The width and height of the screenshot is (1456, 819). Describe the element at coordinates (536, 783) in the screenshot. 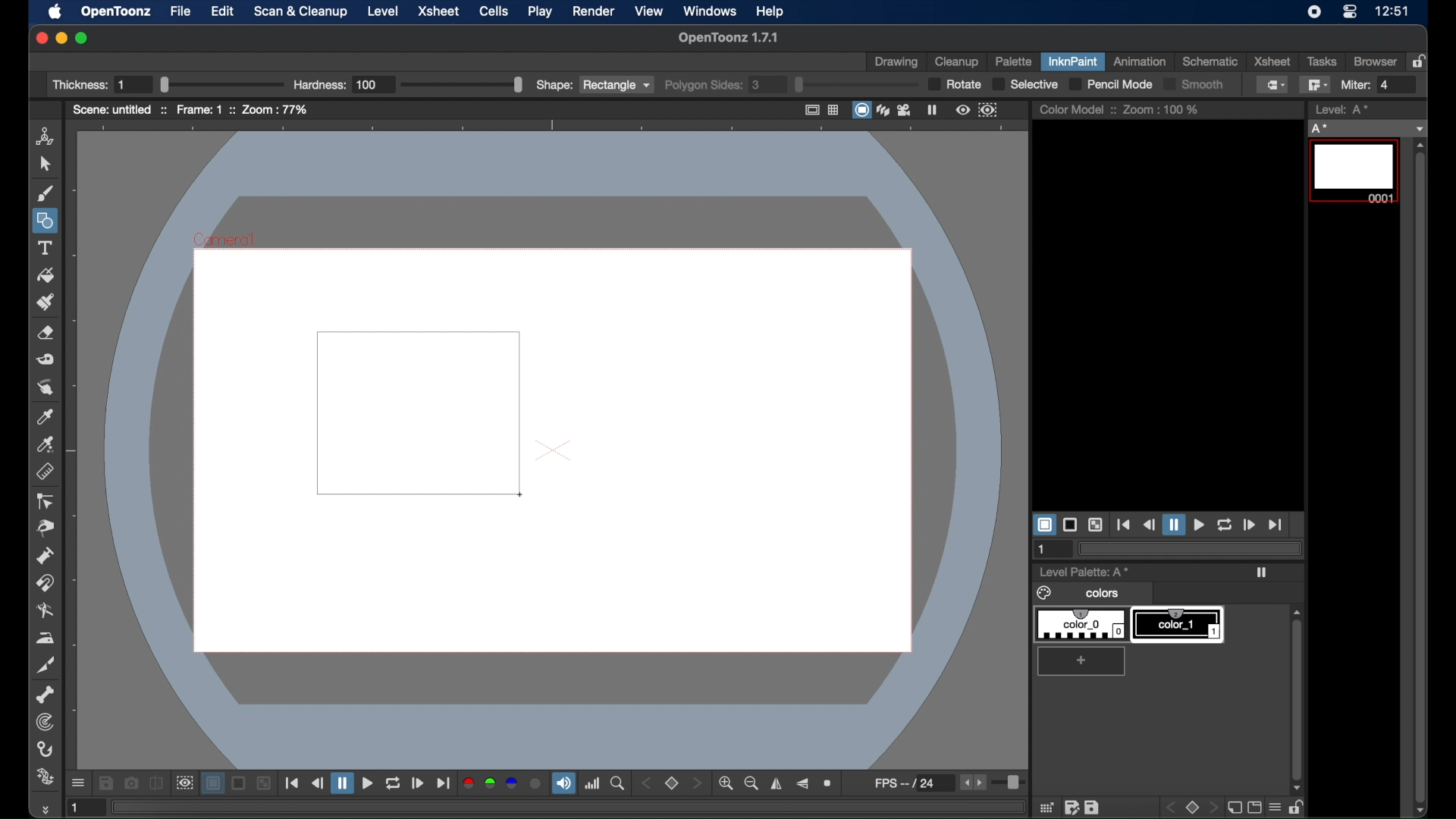

I see `alpha channel` at that location.